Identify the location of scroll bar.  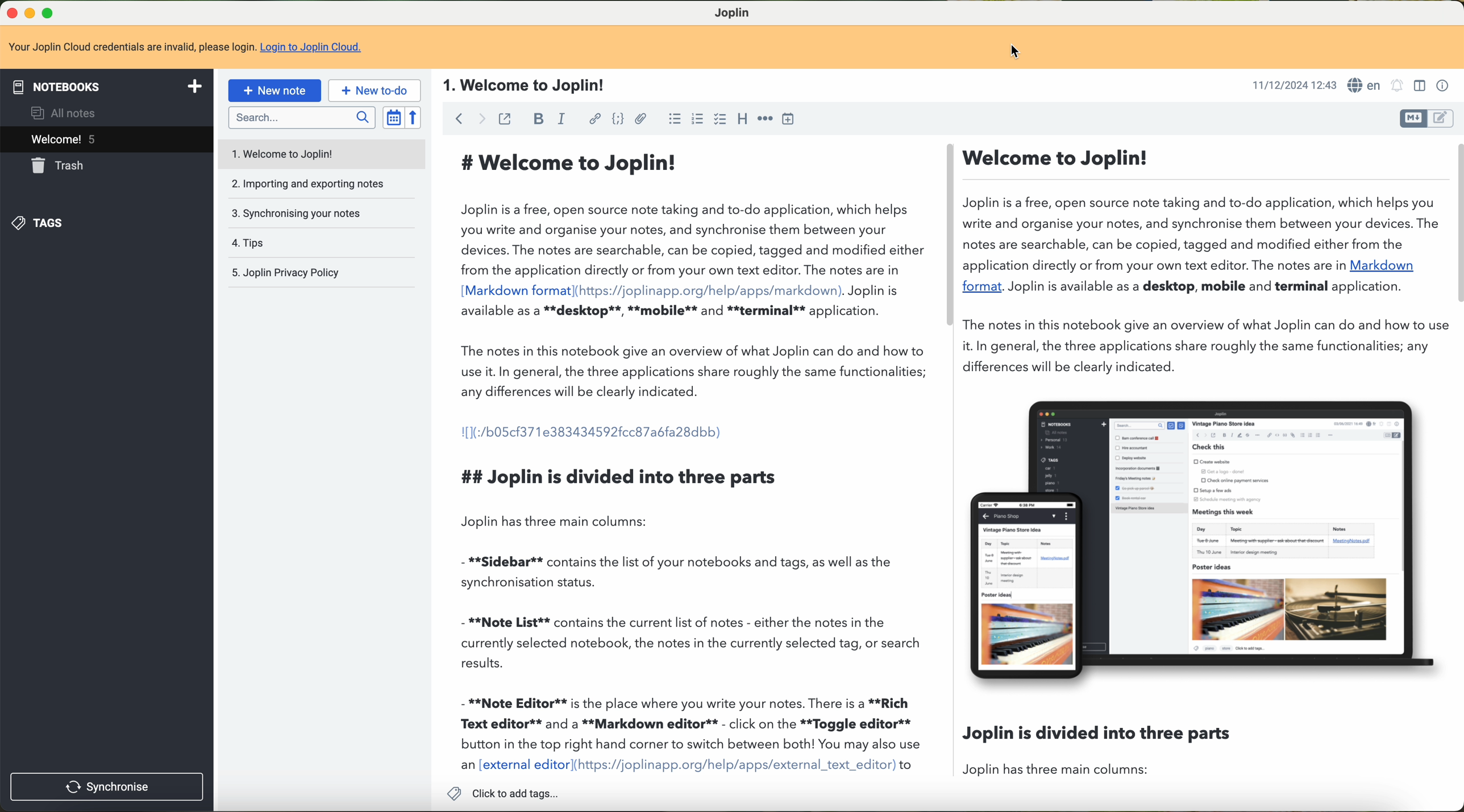
(951, 231).